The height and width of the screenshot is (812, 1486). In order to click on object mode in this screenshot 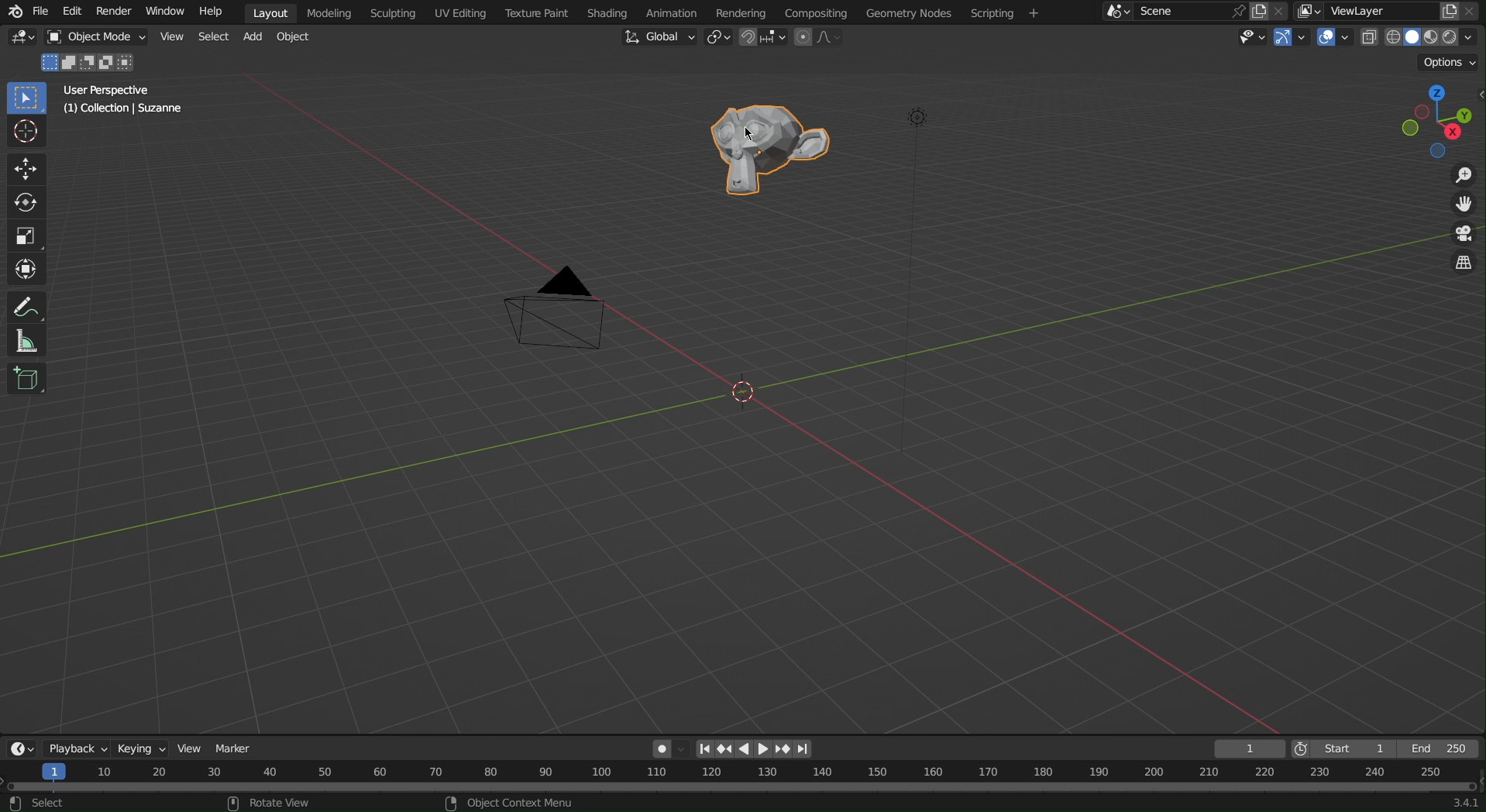, I will do `click(100, 40)`.